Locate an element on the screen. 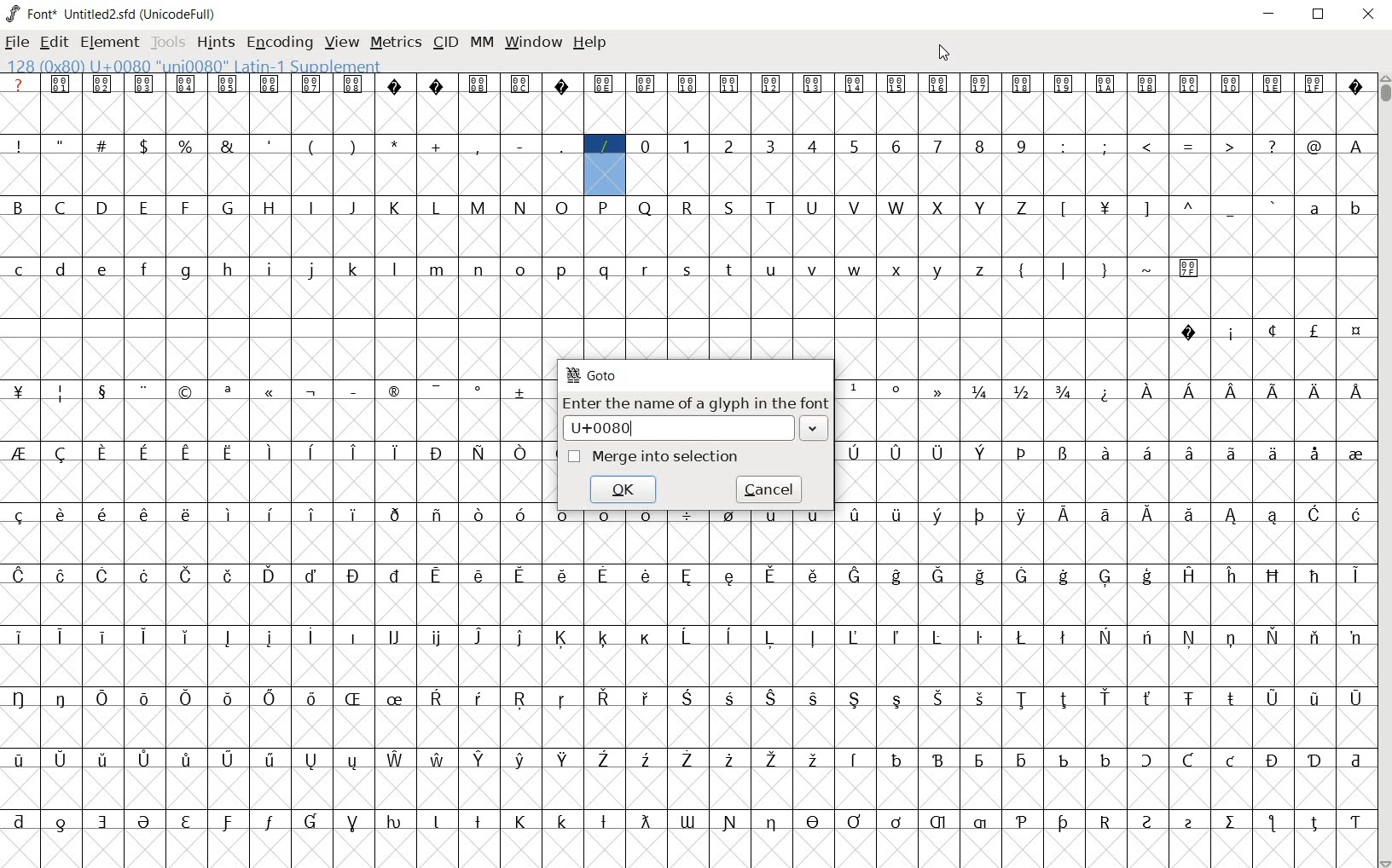  glyph is located at coordinates (271, 453).